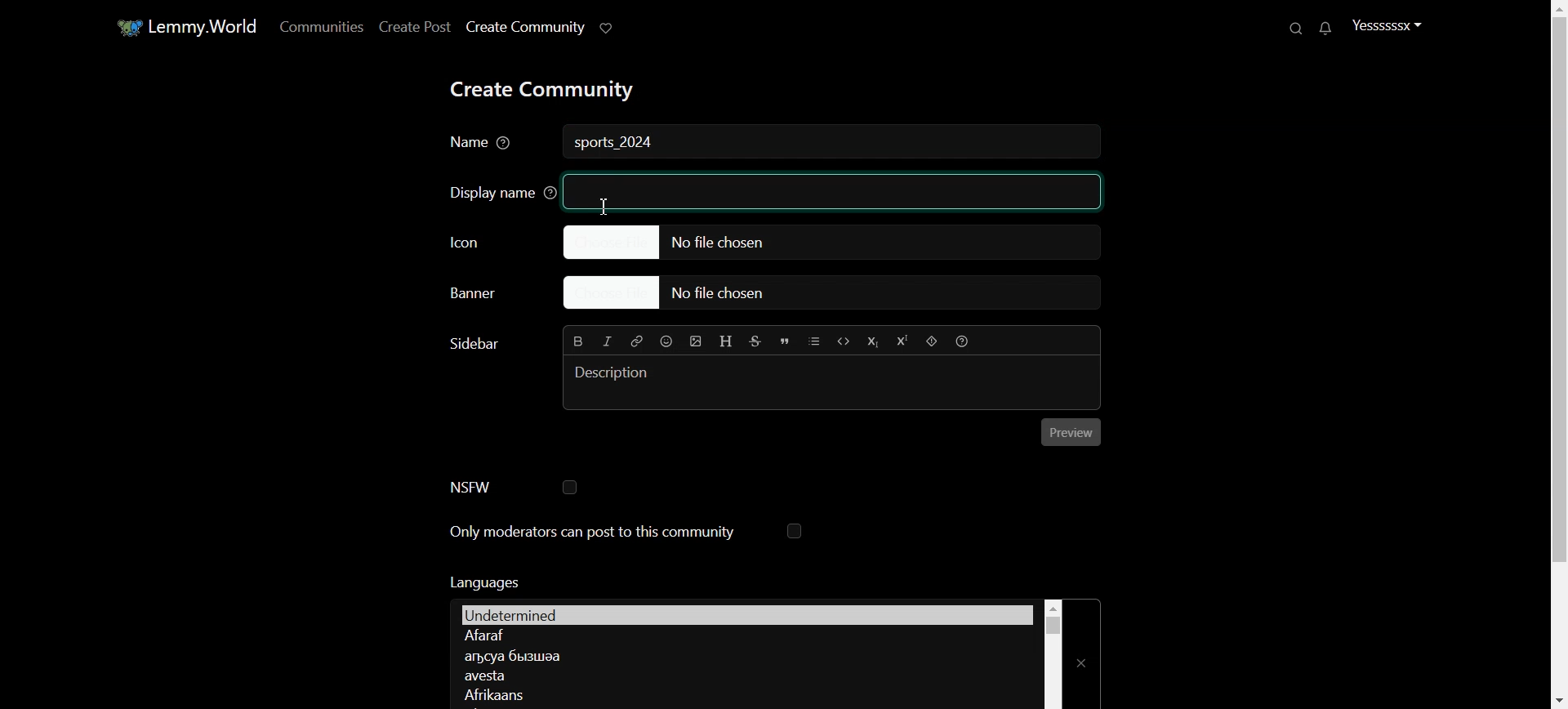 This screenshot has height=709, width=1568. I want to click on Italic, so click(608, 341).